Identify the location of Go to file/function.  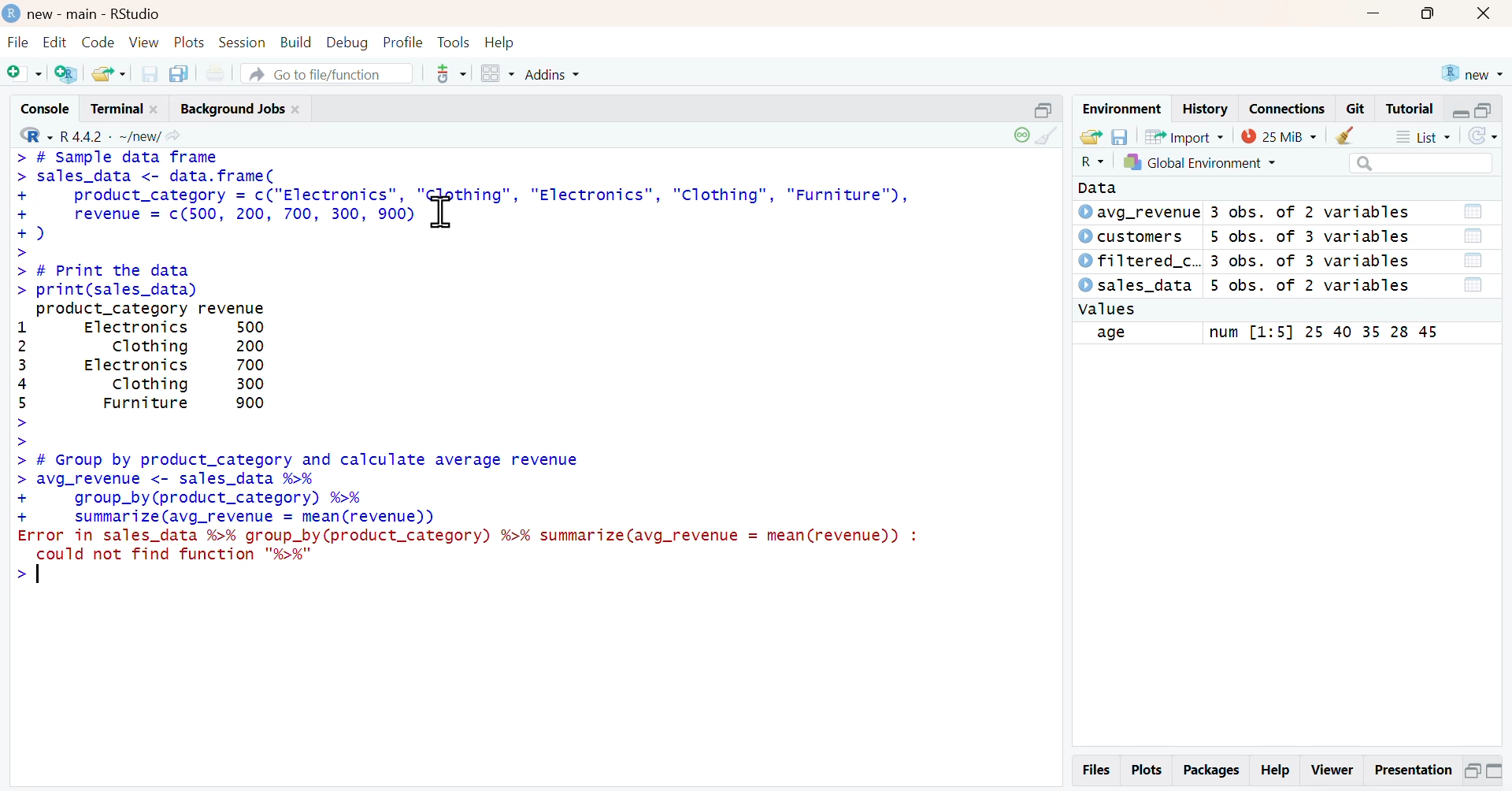
(328, 73).